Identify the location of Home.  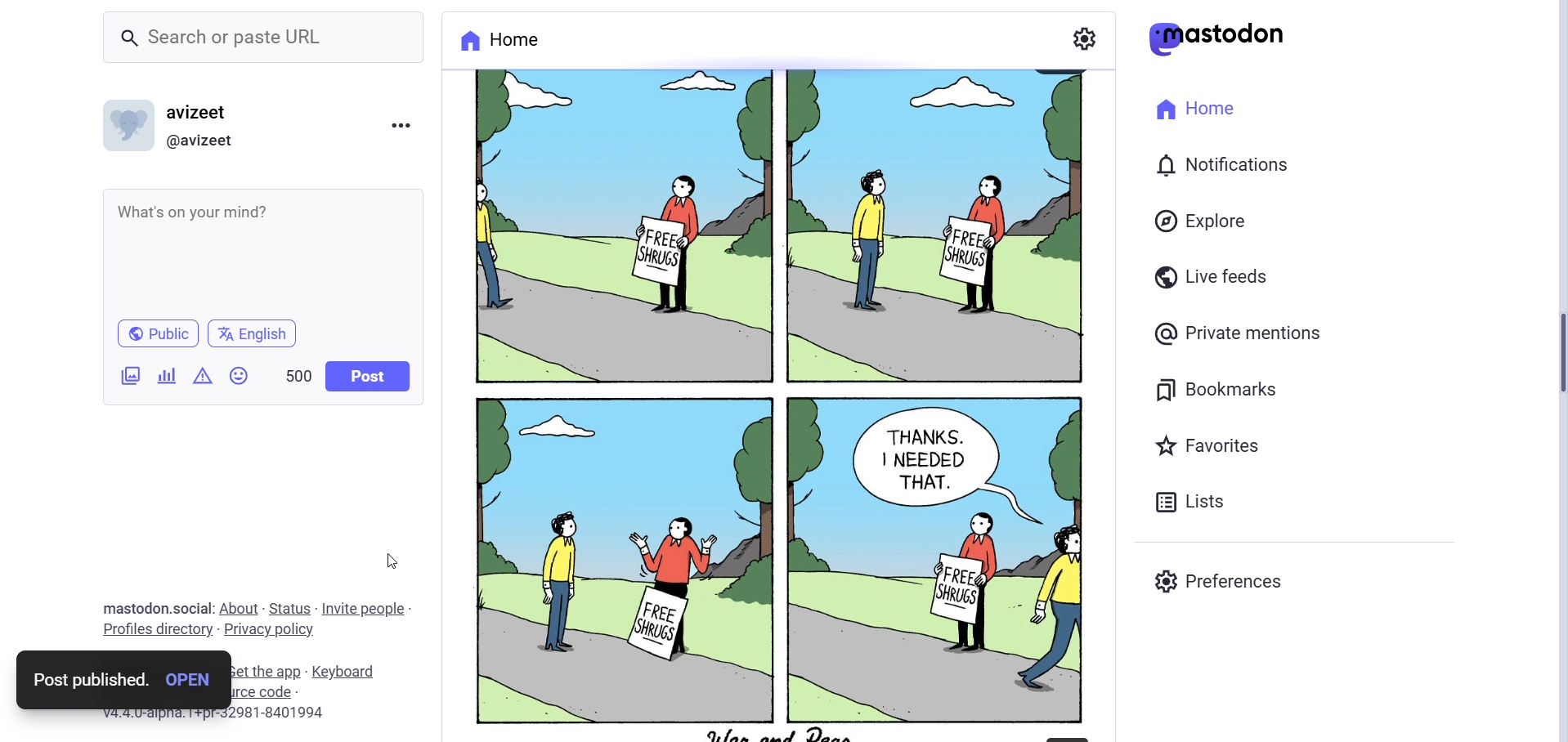
(500, 38).